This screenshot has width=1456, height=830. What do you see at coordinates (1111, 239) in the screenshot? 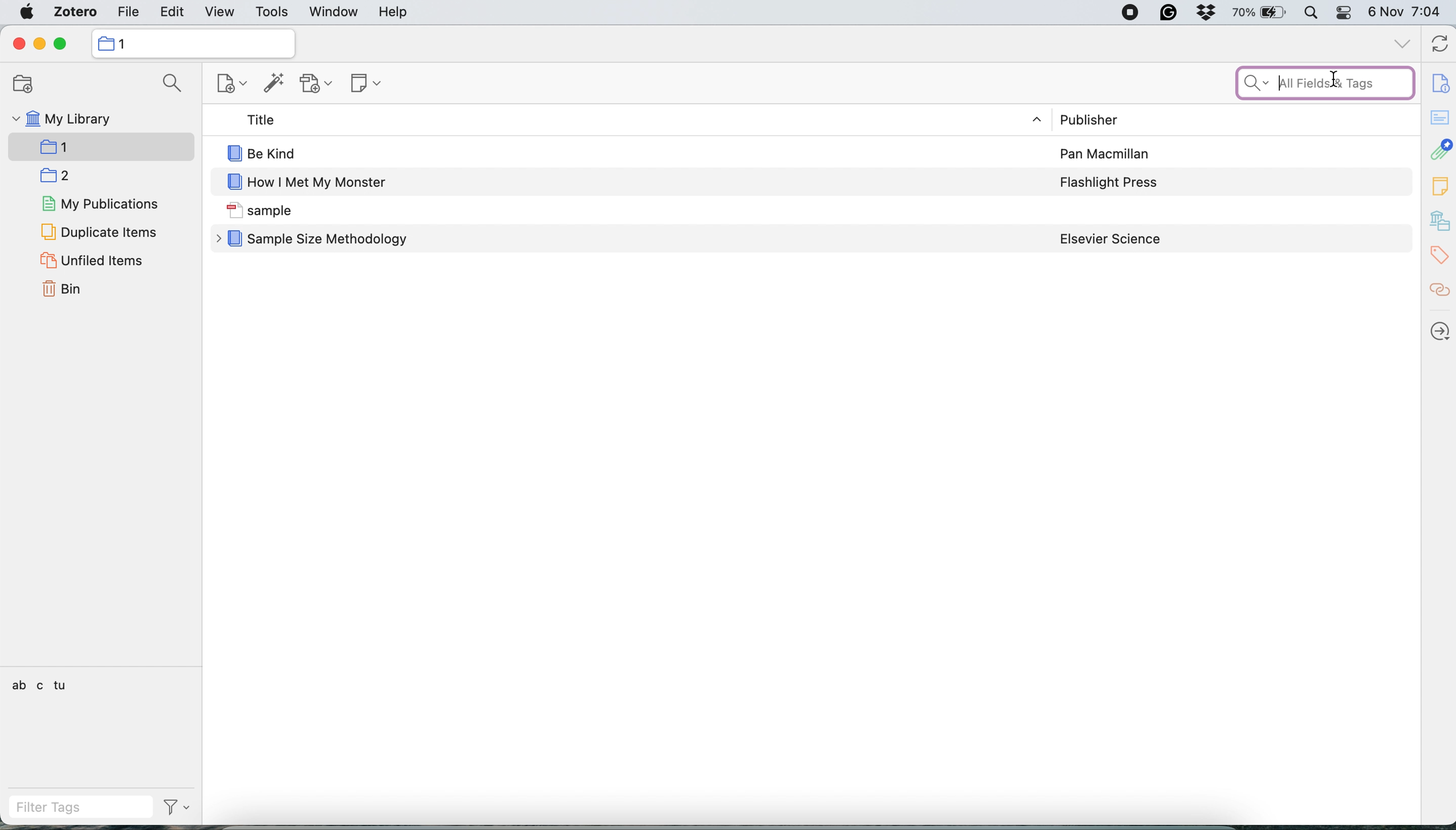
I see `Elsevier Science` at bounding box center [1111, 239].